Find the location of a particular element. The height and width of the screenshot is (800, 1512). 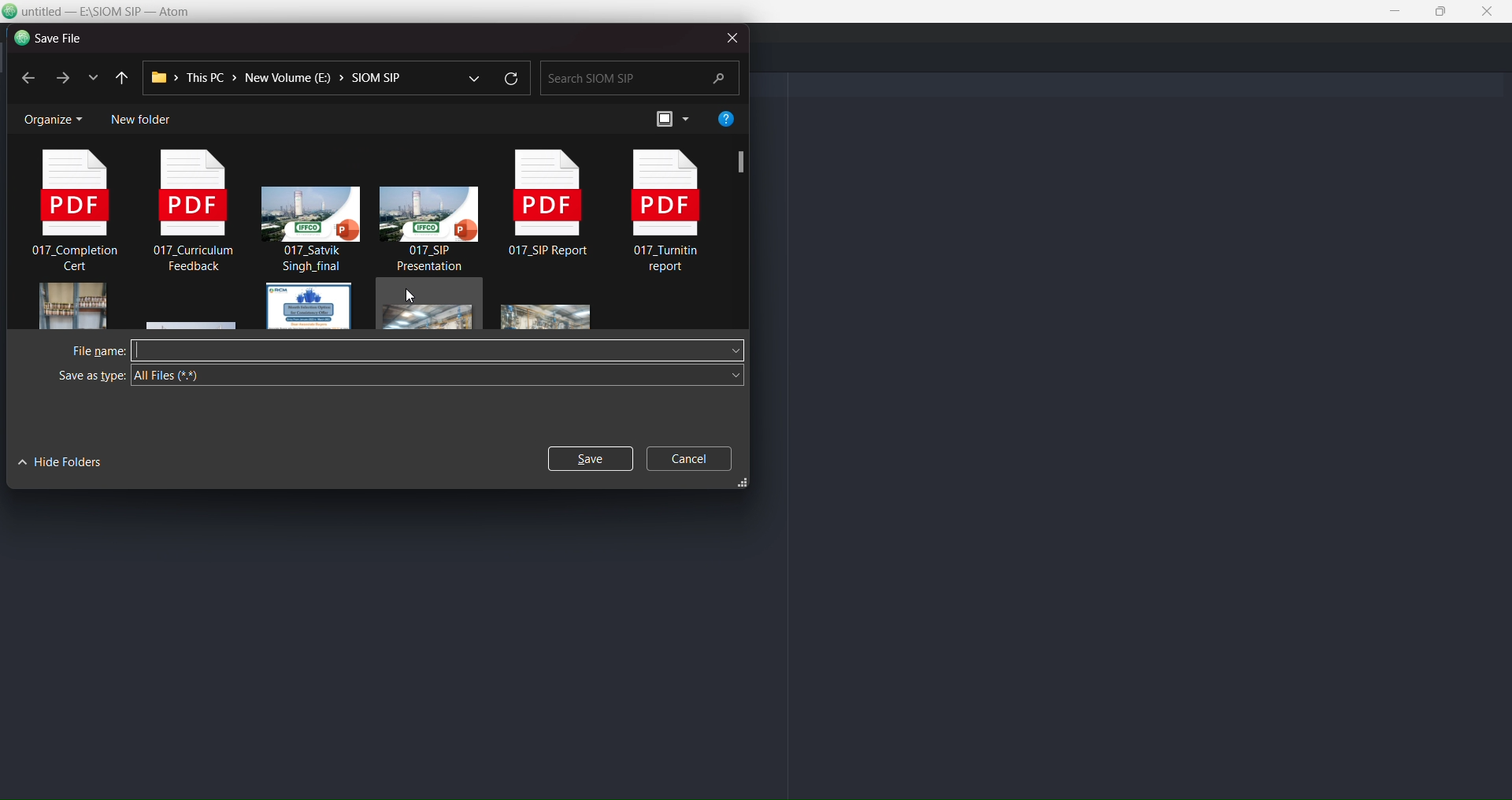

close is located at coordinates (1488, 12).